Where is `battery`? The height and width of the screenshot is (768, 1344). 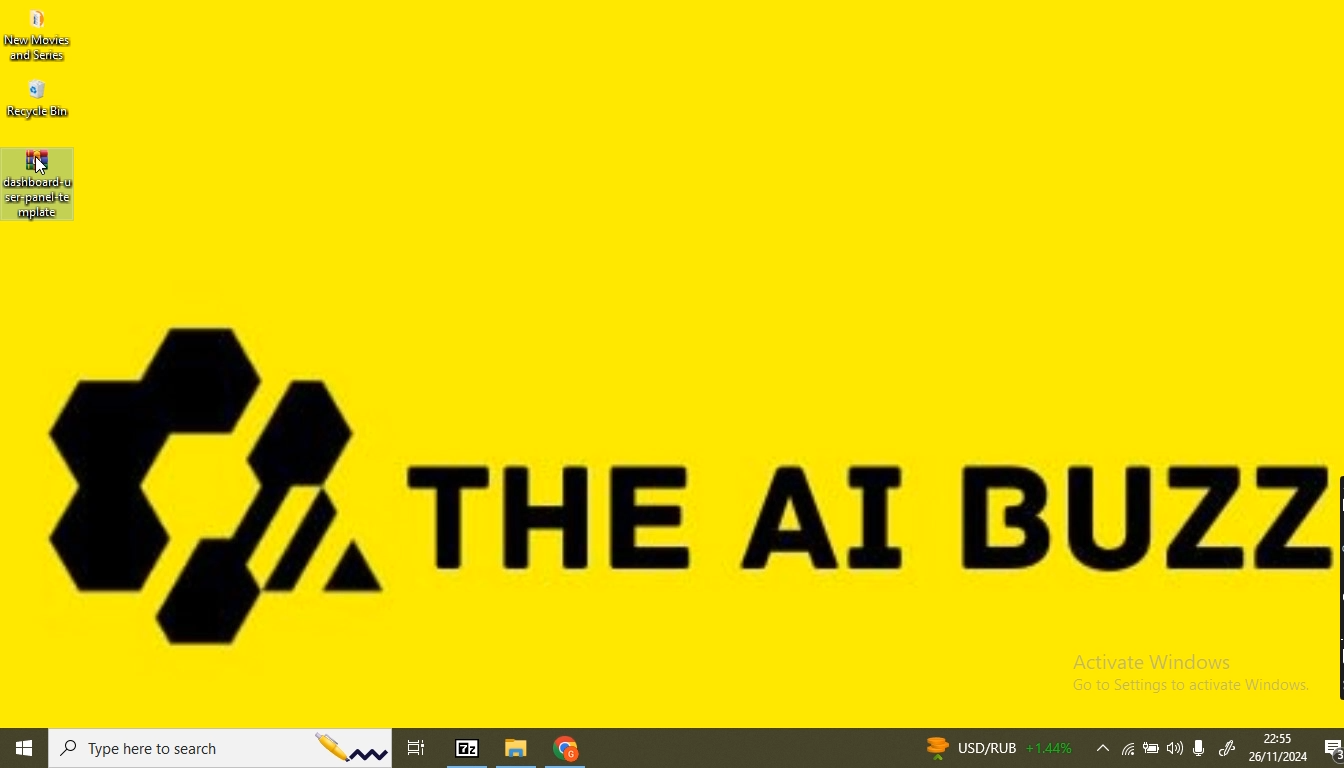 battery is located at coordinates (1152, 751).